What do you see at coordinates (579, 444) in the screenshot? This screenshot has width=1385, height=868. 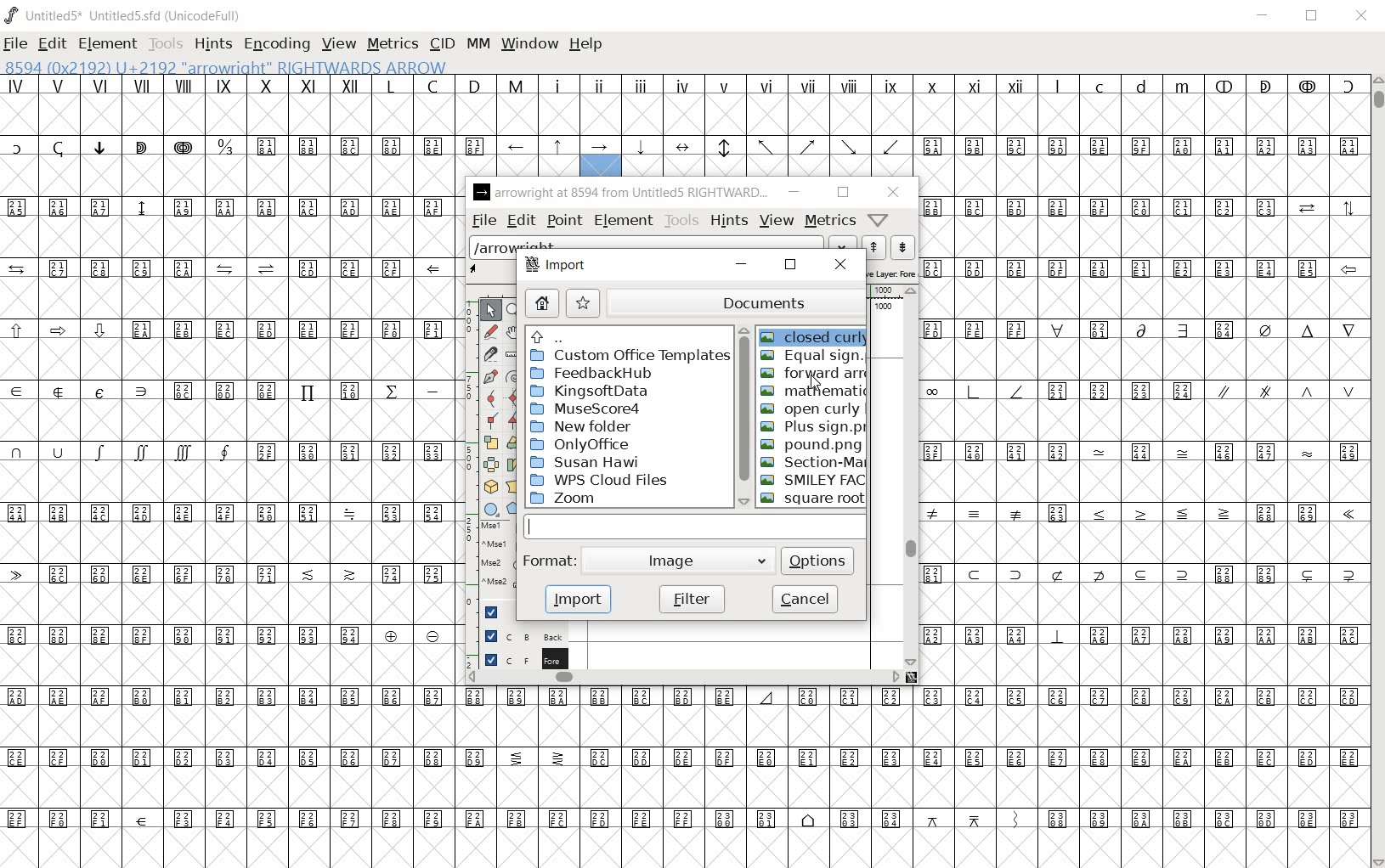 I see `OnlyOffice` at bounding box center [579, 444].